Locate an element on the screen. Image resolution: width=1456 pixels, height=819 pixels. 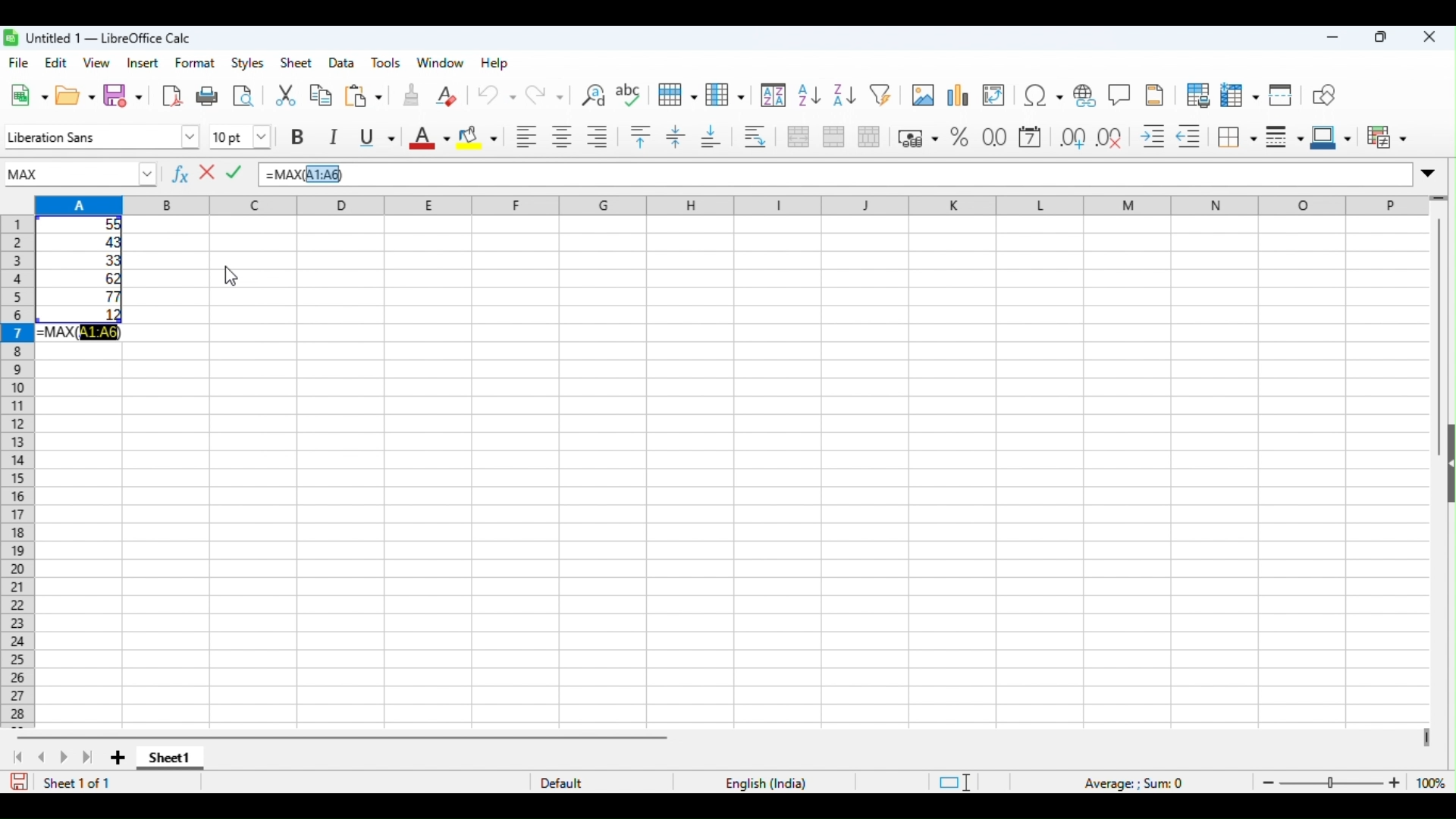
sheet1 is located at coordinates (171, 760).